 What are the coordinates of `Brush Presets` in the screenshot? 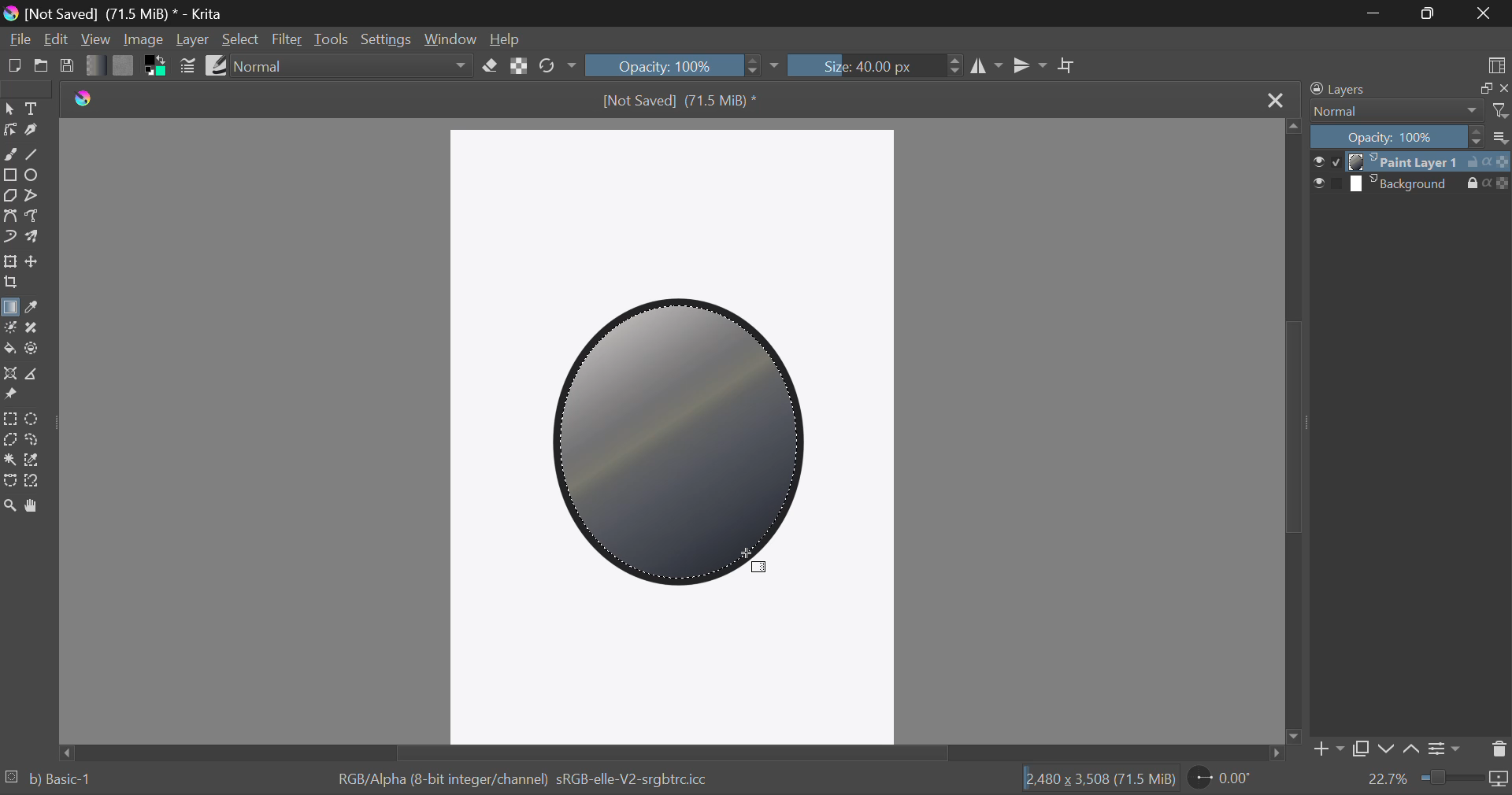 It's located at (219, 67).